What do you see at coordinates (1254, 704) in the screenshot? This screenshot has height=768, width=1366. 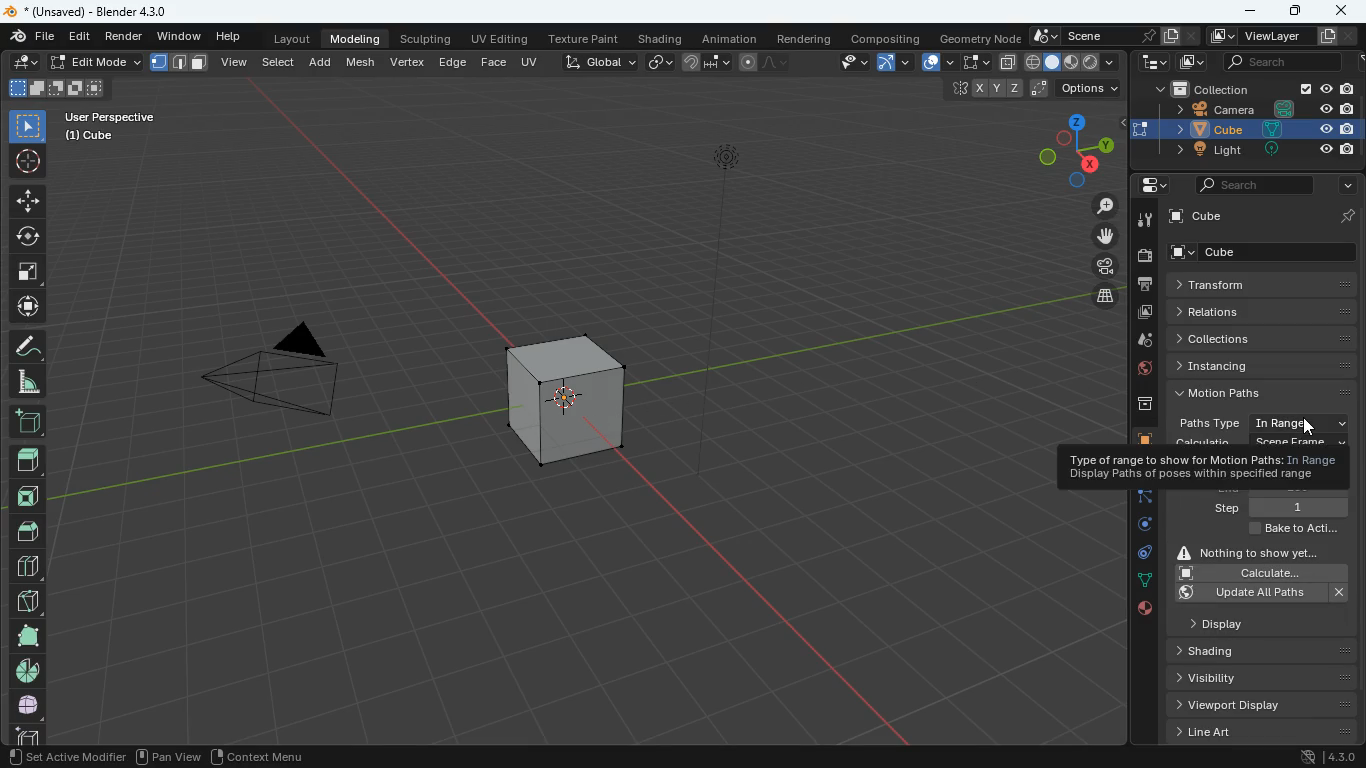 I see `Viewexport Display` at bounding box center [1254, 704].